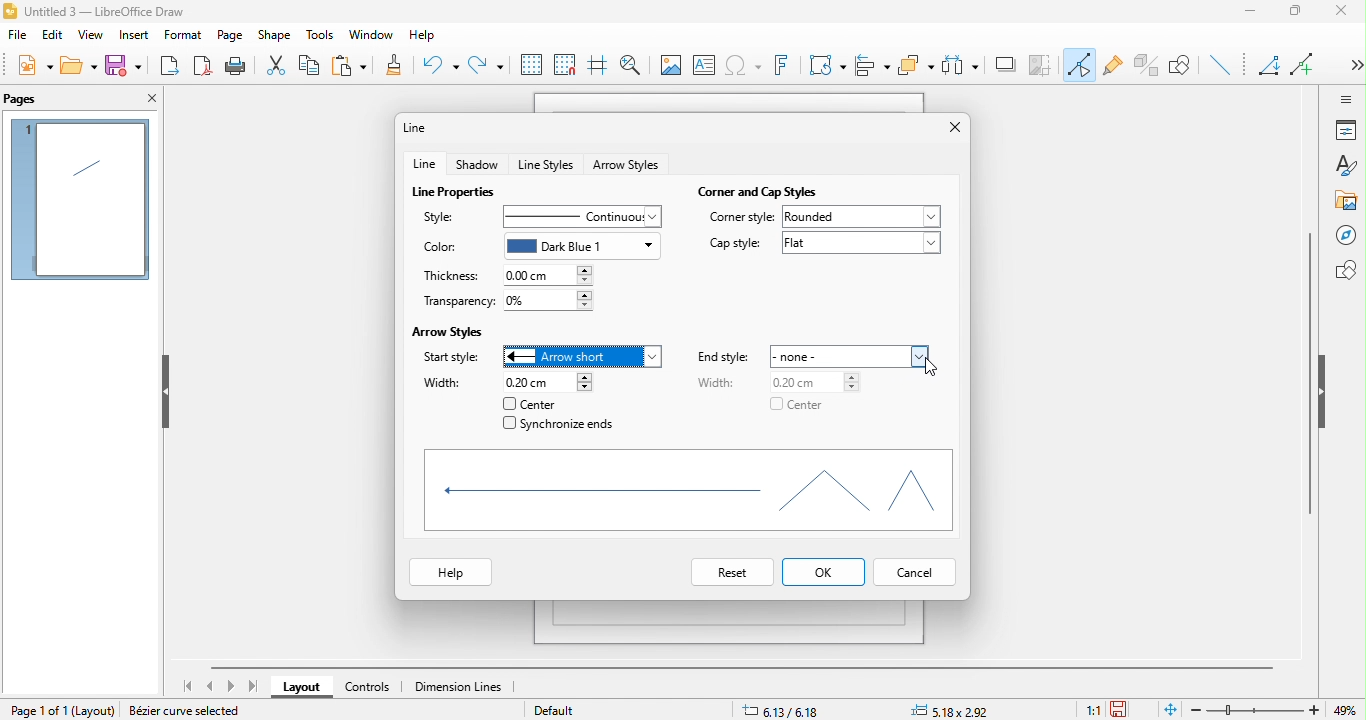  Describe the element at coordinates (947, 128) in the screenshot. I see `close` at that location.